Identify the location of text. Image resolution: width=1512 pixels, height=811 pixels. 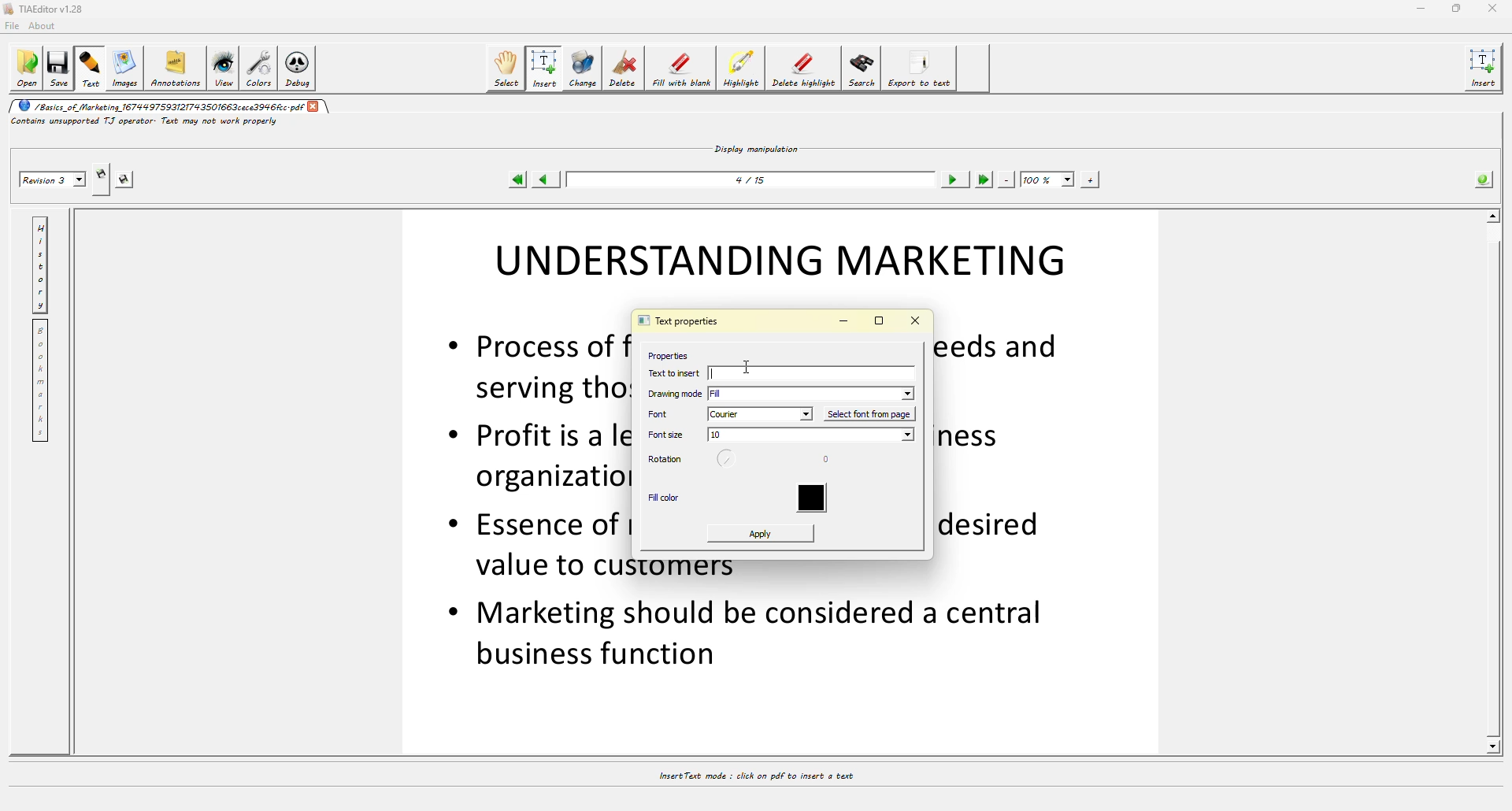
(91, 68).